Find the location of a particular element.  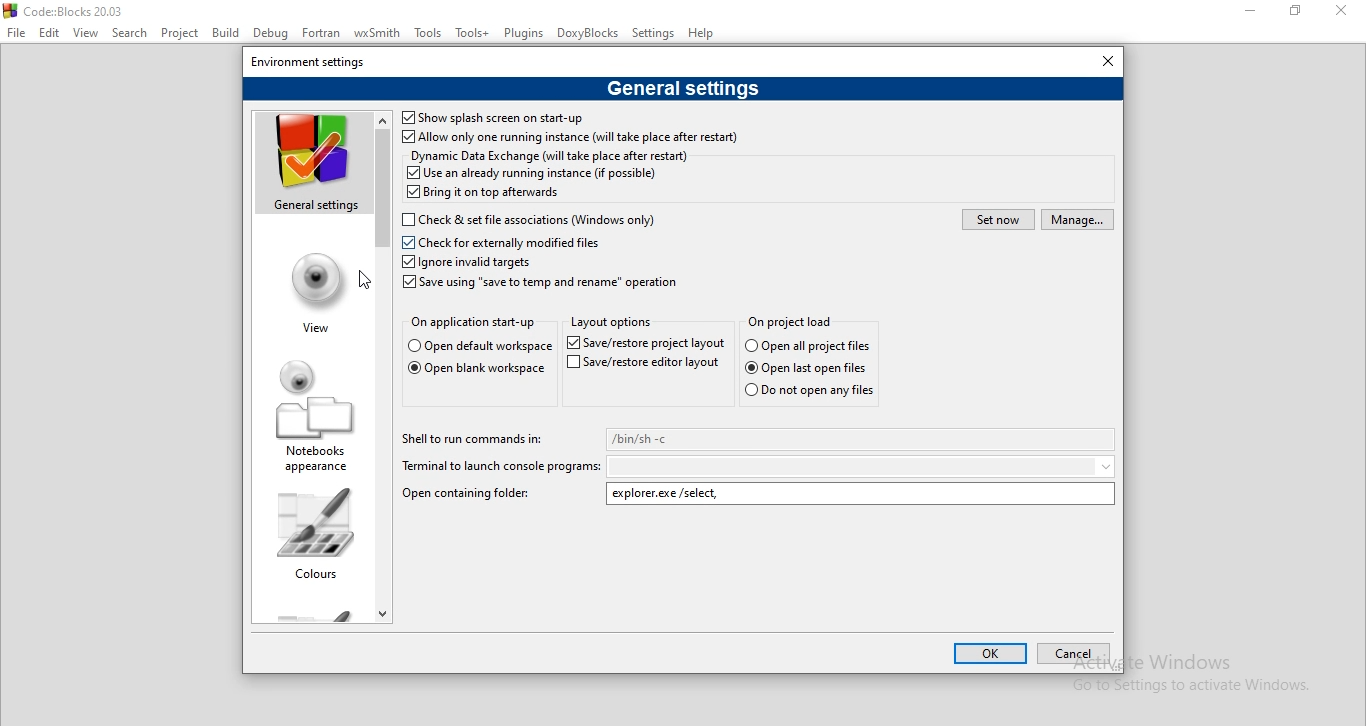

explorer.exe/select is located at coordinates (859, 494).